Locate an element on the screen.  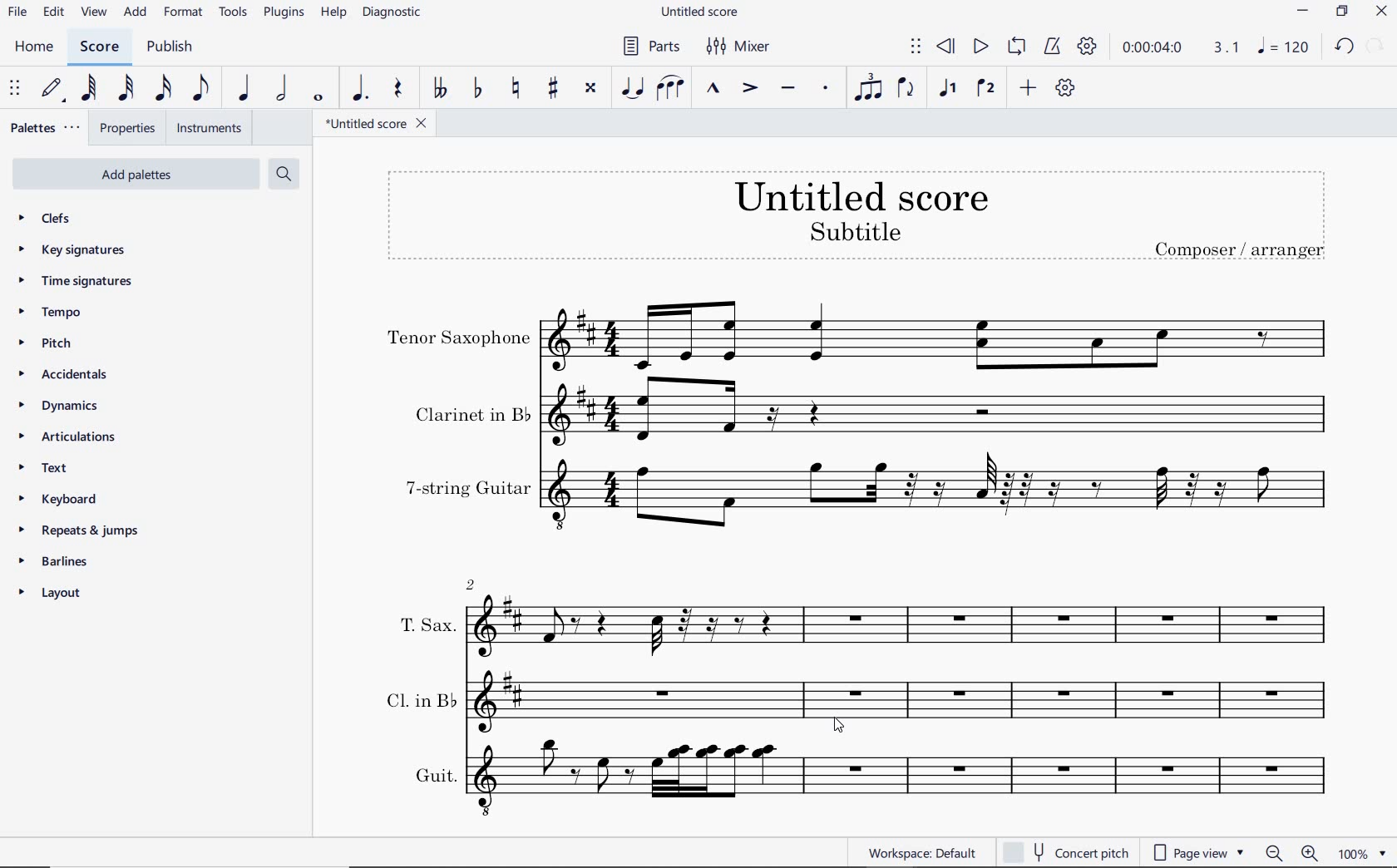
TITLE is located at coordinates (853, 216).